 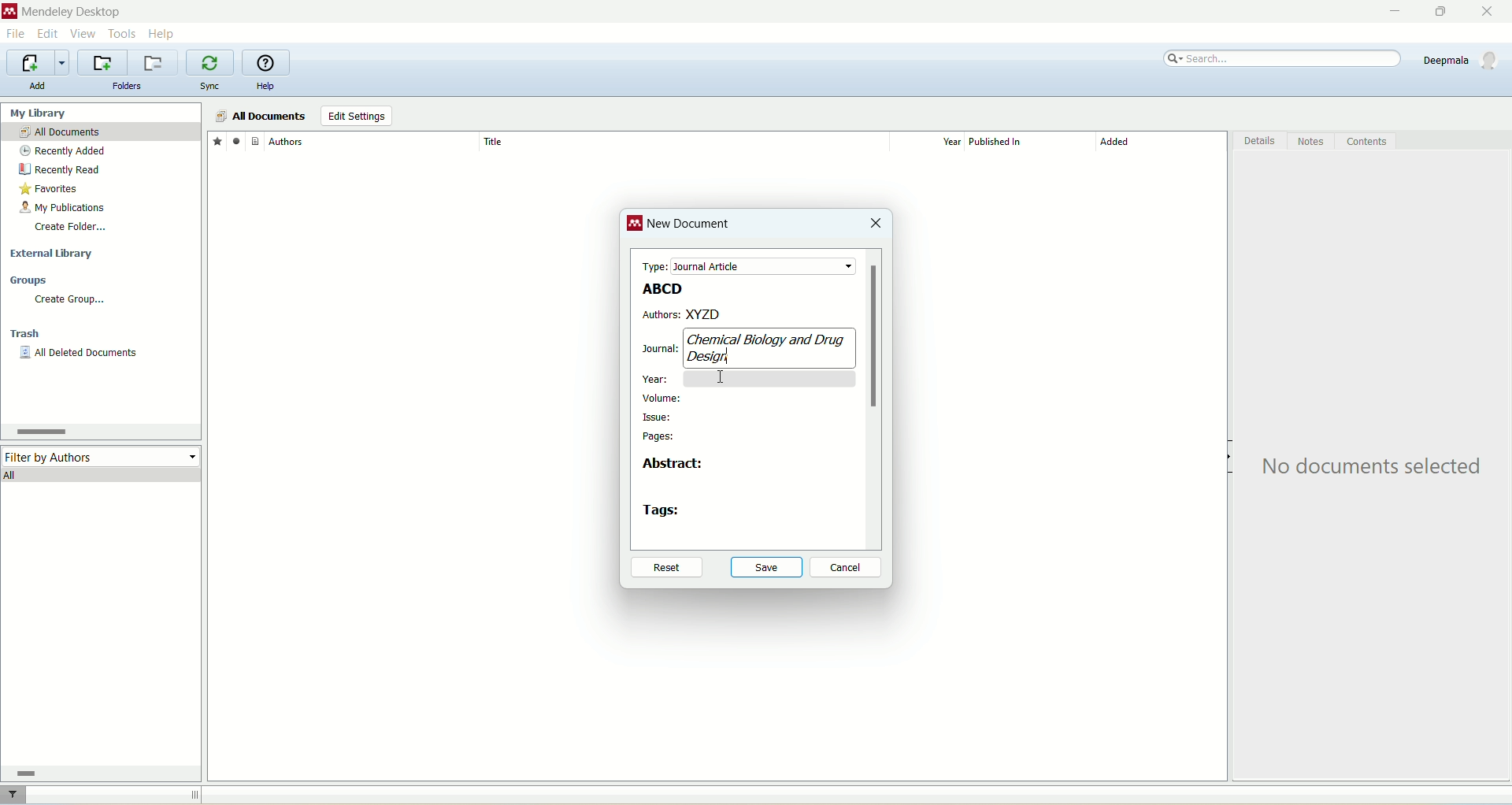 What do you see at coordinates (767, 566) in the screenshot?
I see `save` at bounding box center [767, 566].